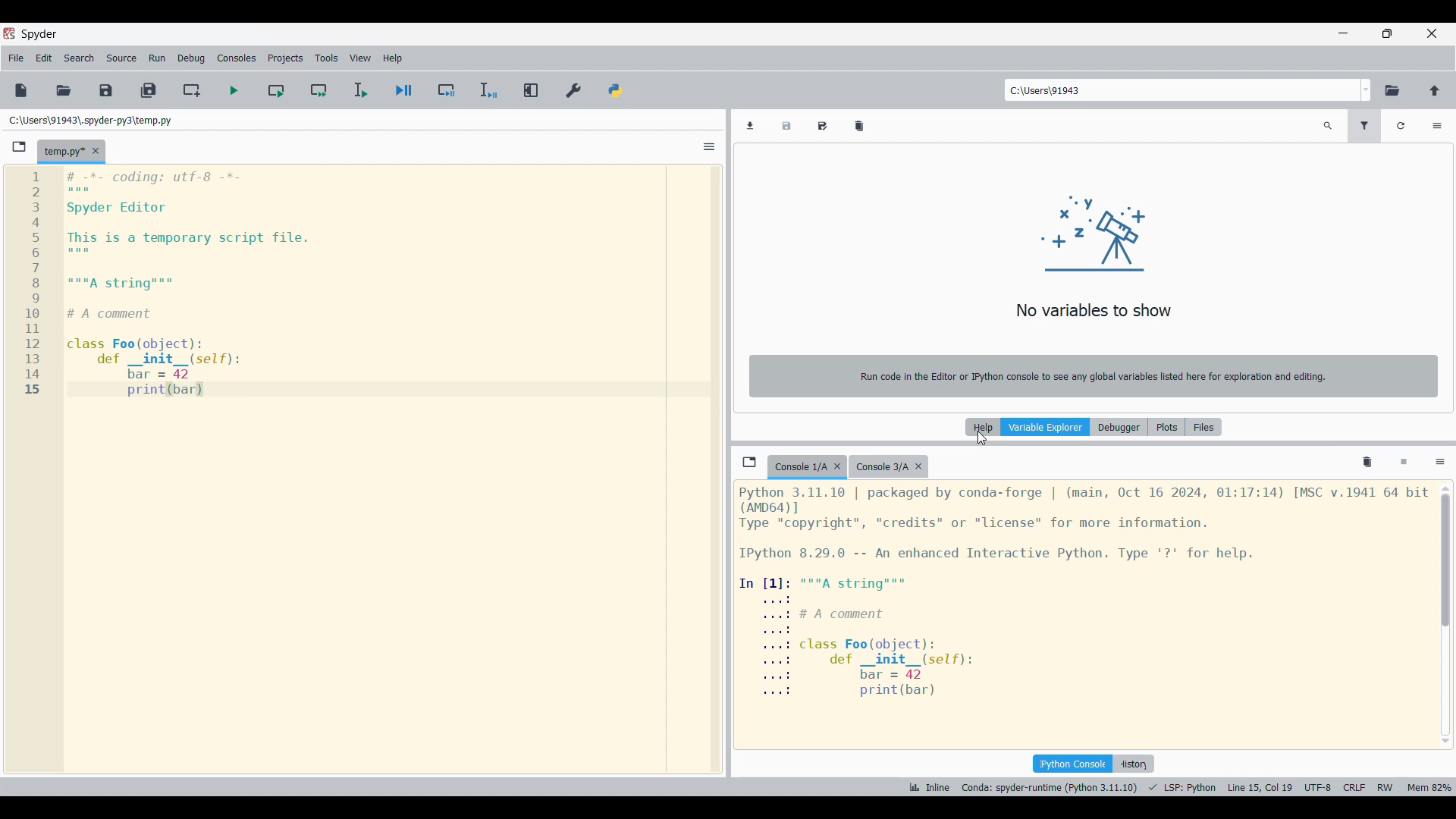 This screenshot has width=1456, height=819. I want to click on Create new cell at current line, so click(191, 91).